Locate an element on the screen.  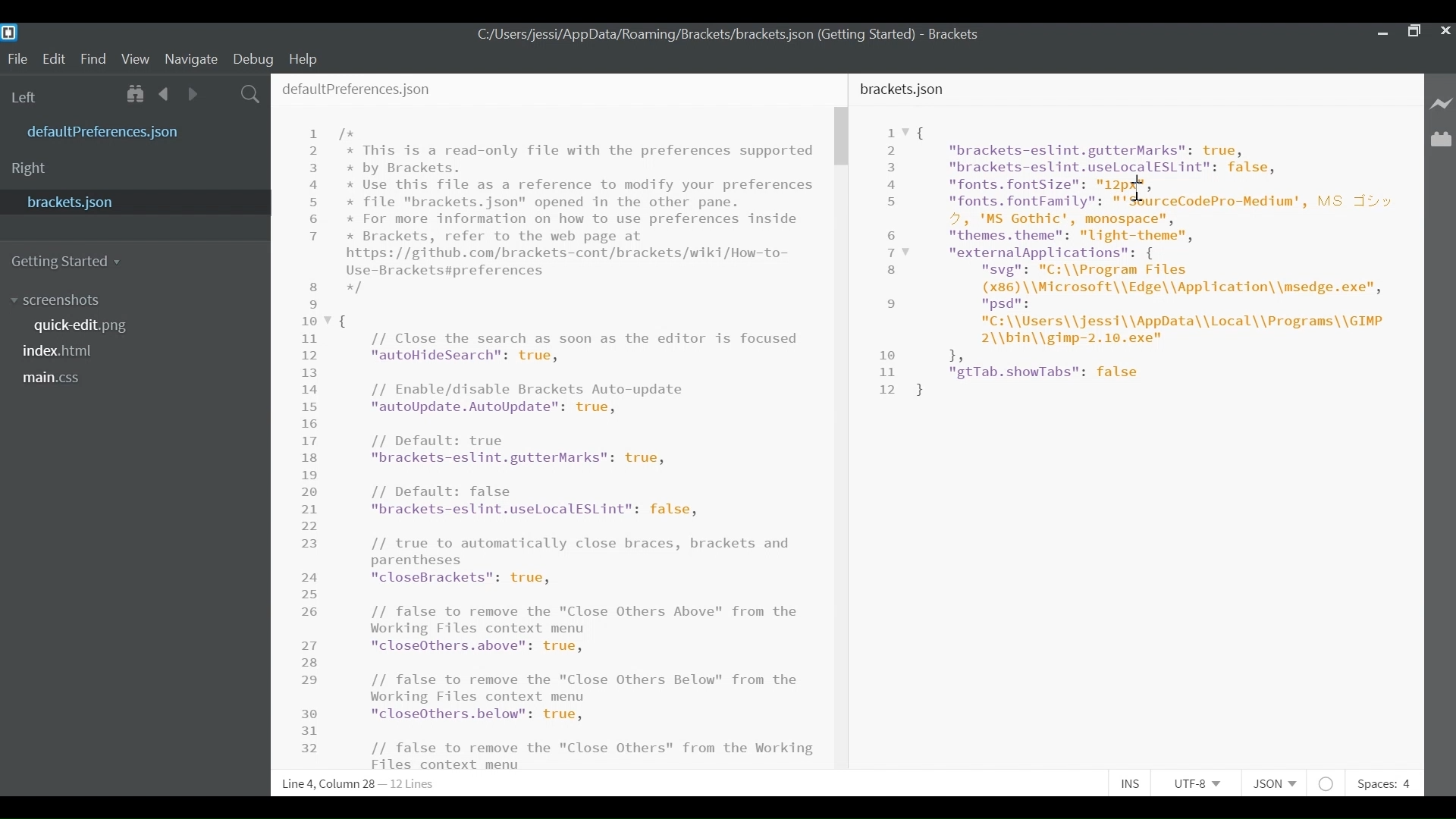
File is located at coordinates (17, 60).